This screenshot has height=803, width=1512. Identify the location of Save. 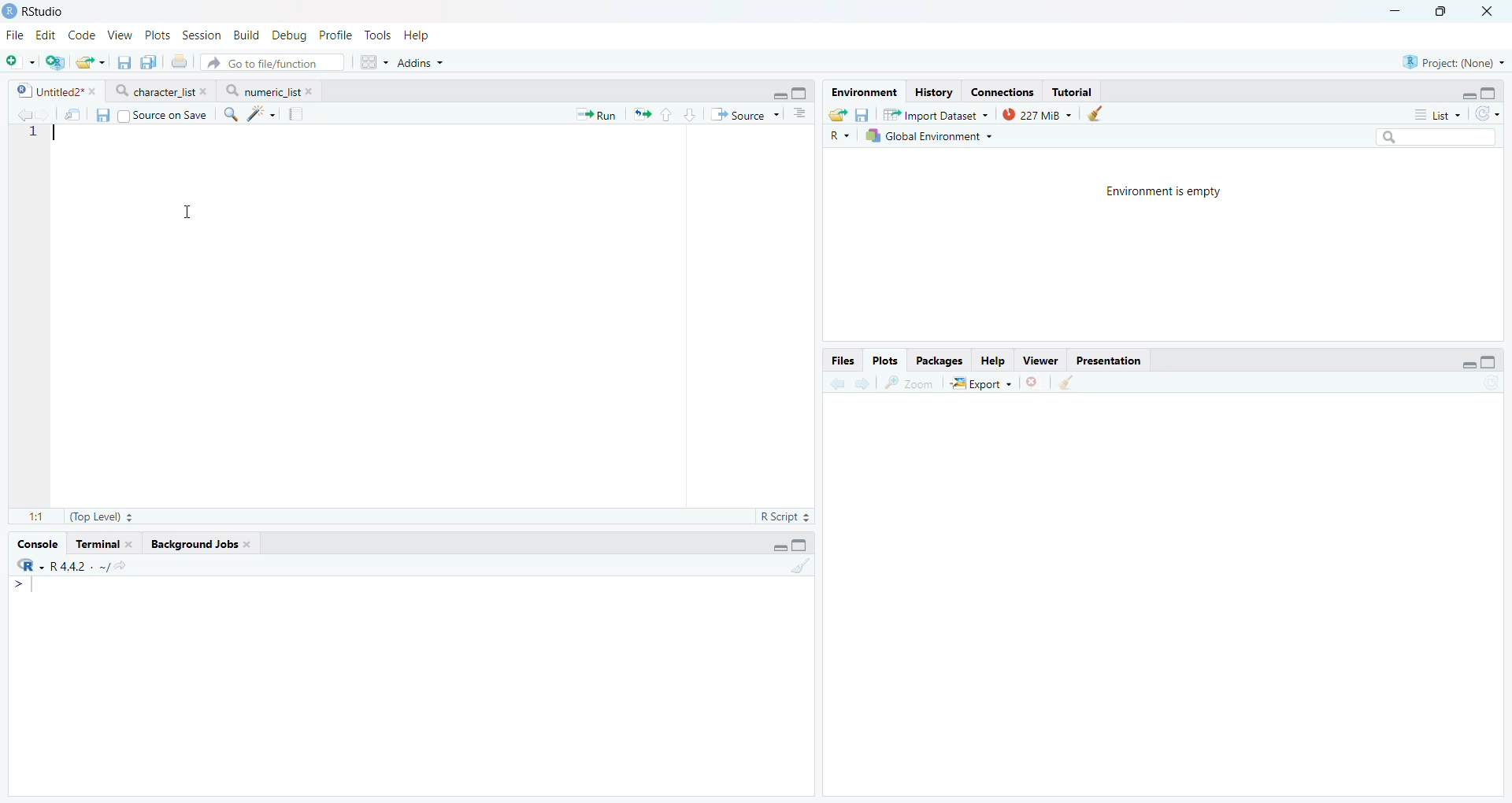
(104, 116).